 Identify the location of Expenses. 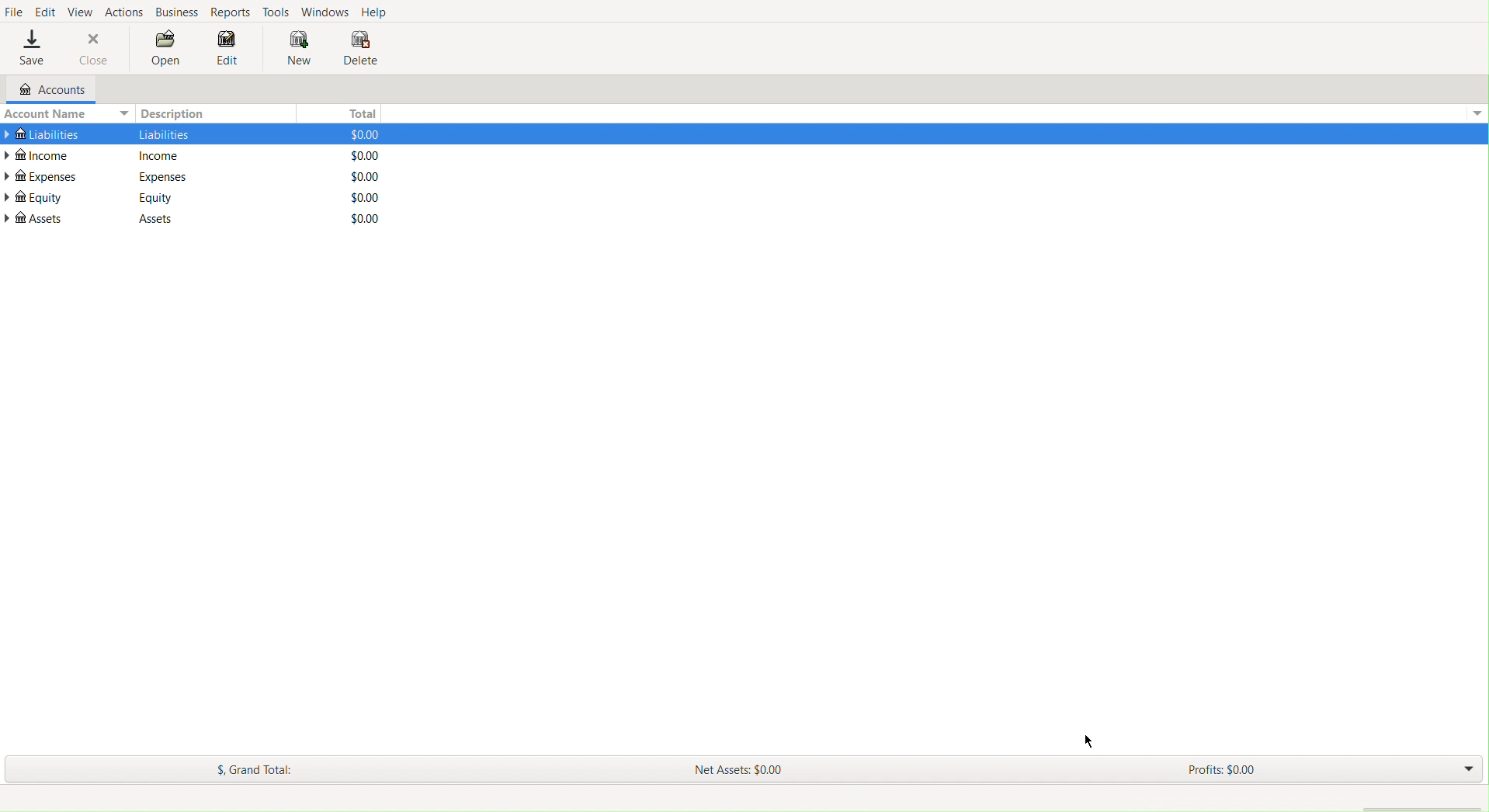
(161, 176).